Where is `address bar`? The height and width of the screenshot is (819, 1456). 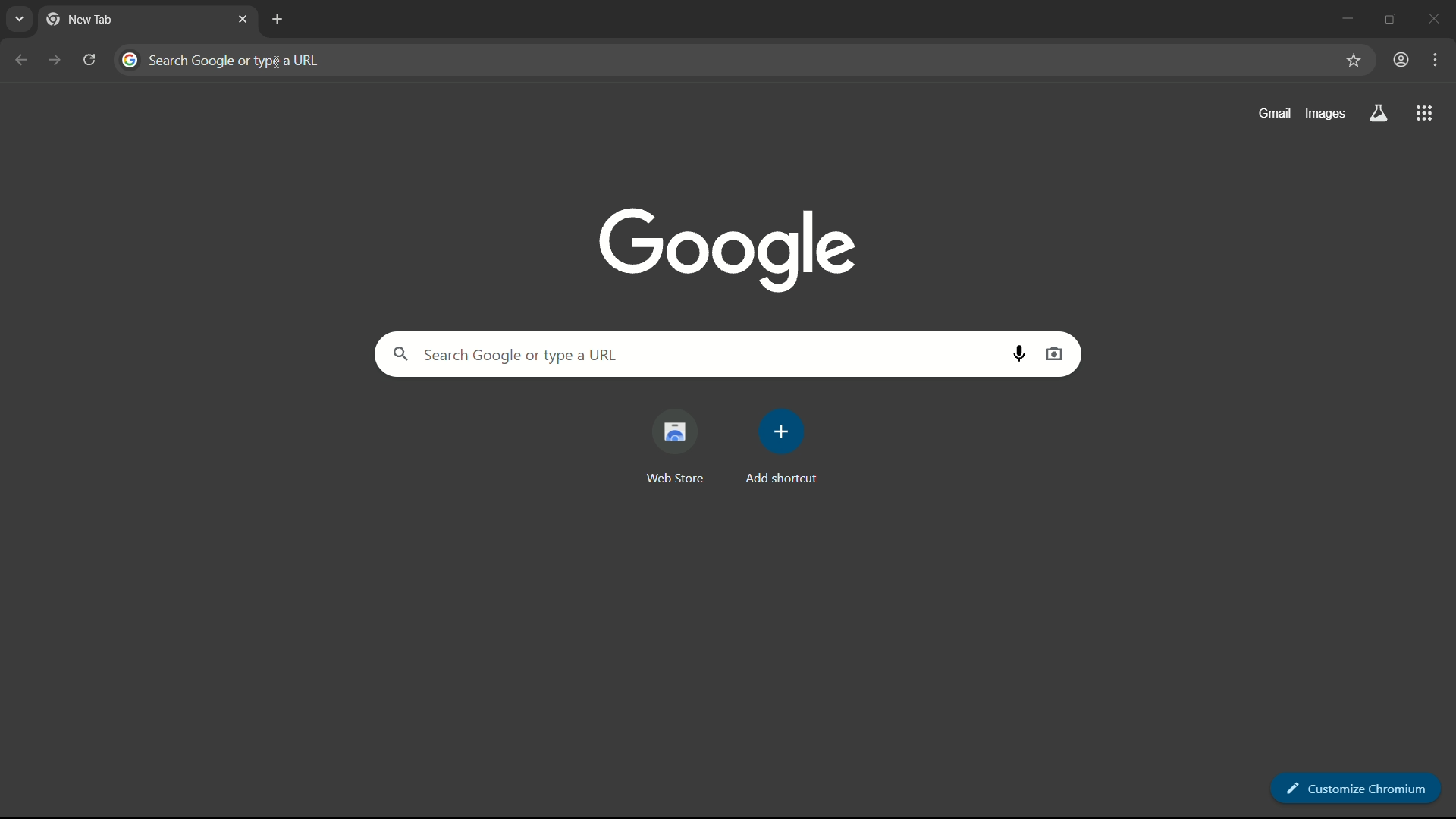 address bar is located at coordinates (722, 60).